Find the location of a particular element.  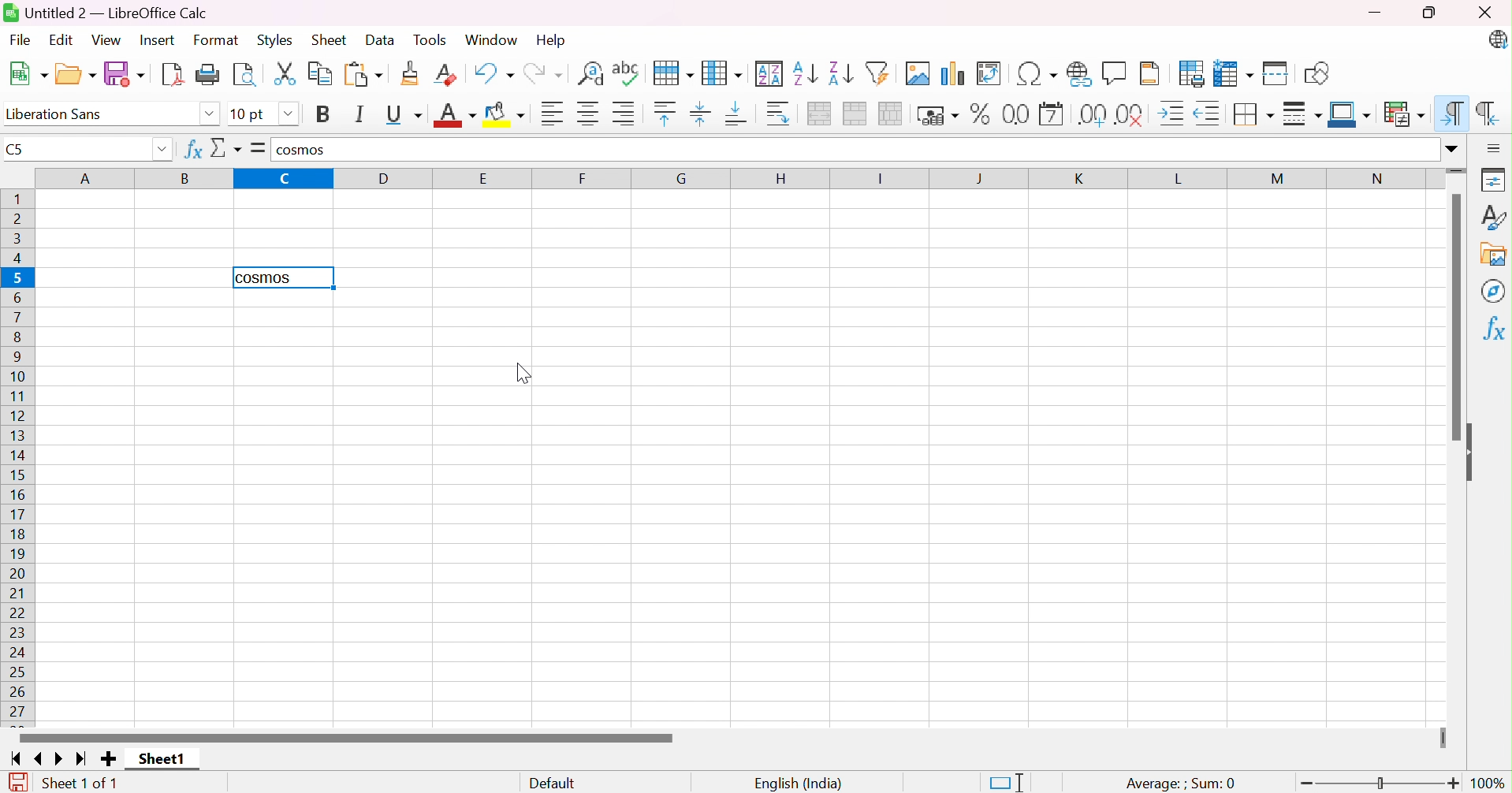

Sheet 1 of1 is located at coordinates (80, 784).